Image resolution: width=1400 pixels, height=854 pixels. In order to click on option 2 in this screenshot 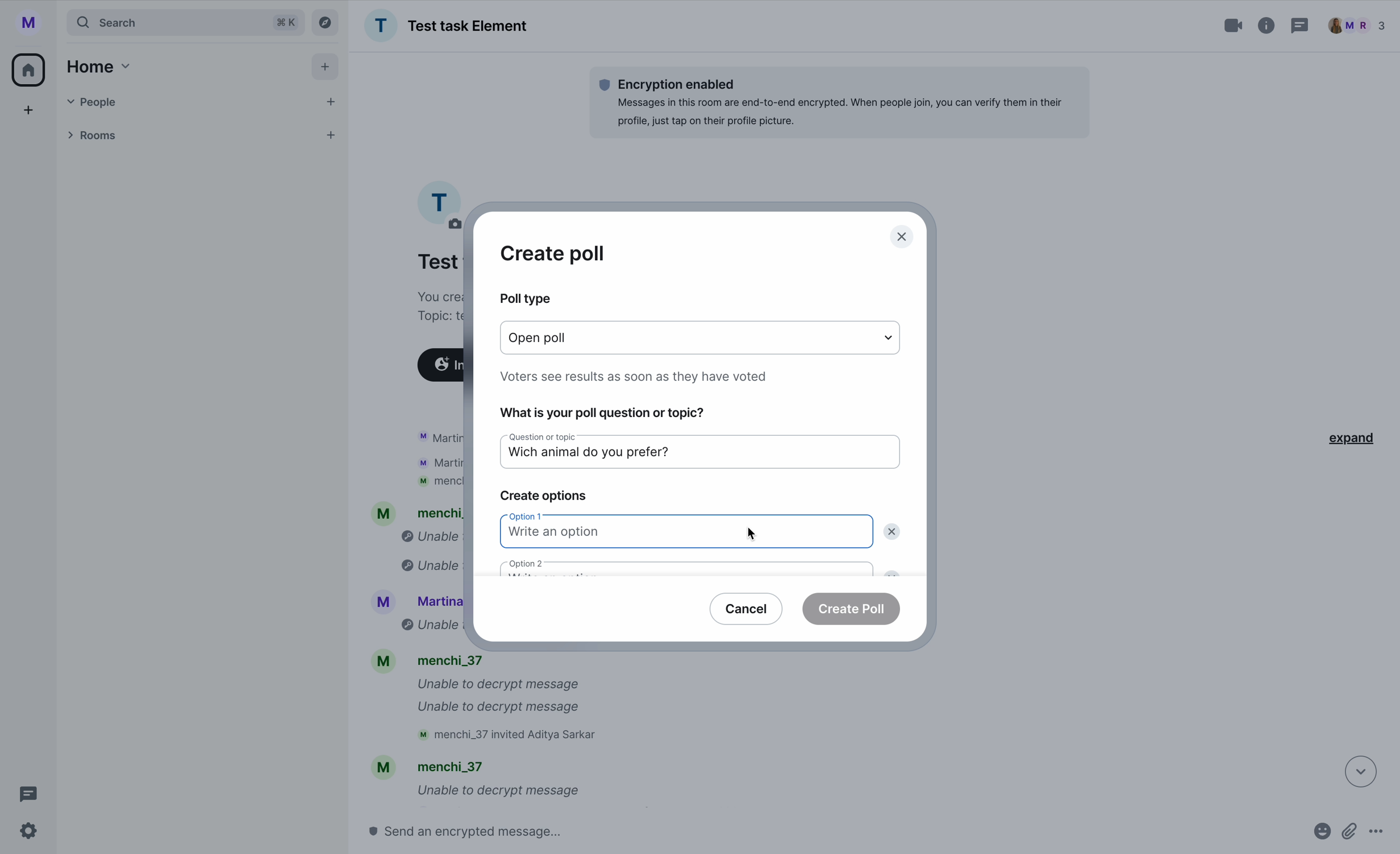, I will do `click(687, 566)`.